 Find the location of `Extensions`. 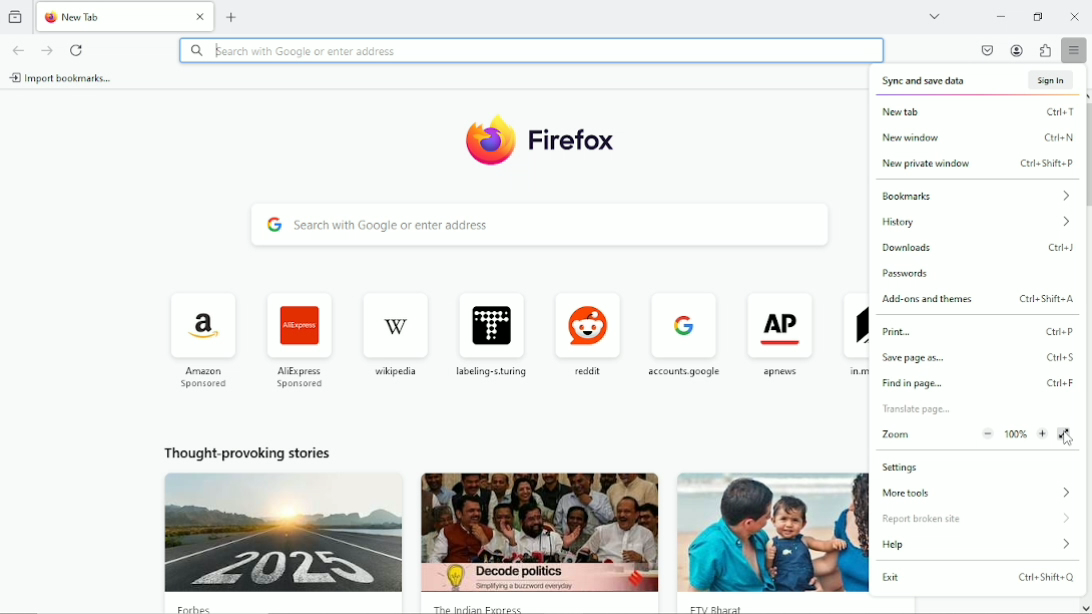

Extensions is located at coordinates (1046, 50).